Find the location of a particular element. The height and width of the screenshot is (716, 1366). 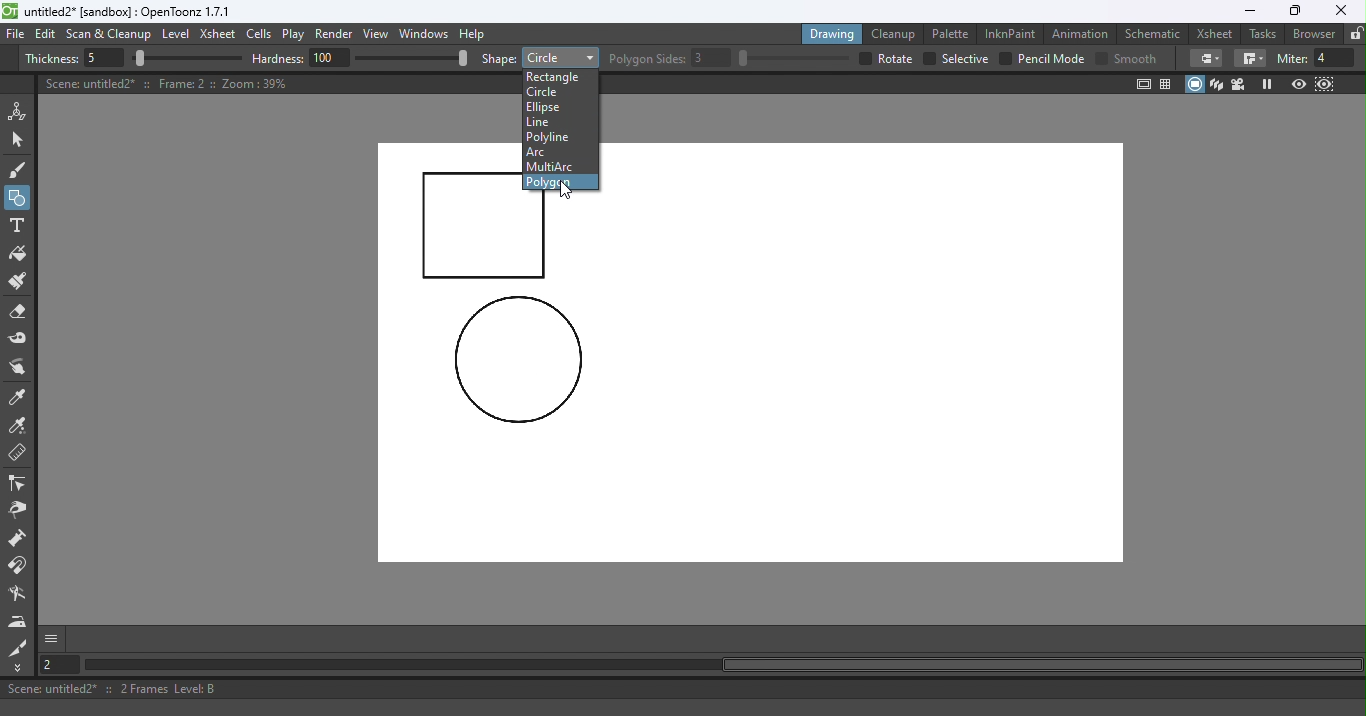

File is located at coordinates (16, 35).